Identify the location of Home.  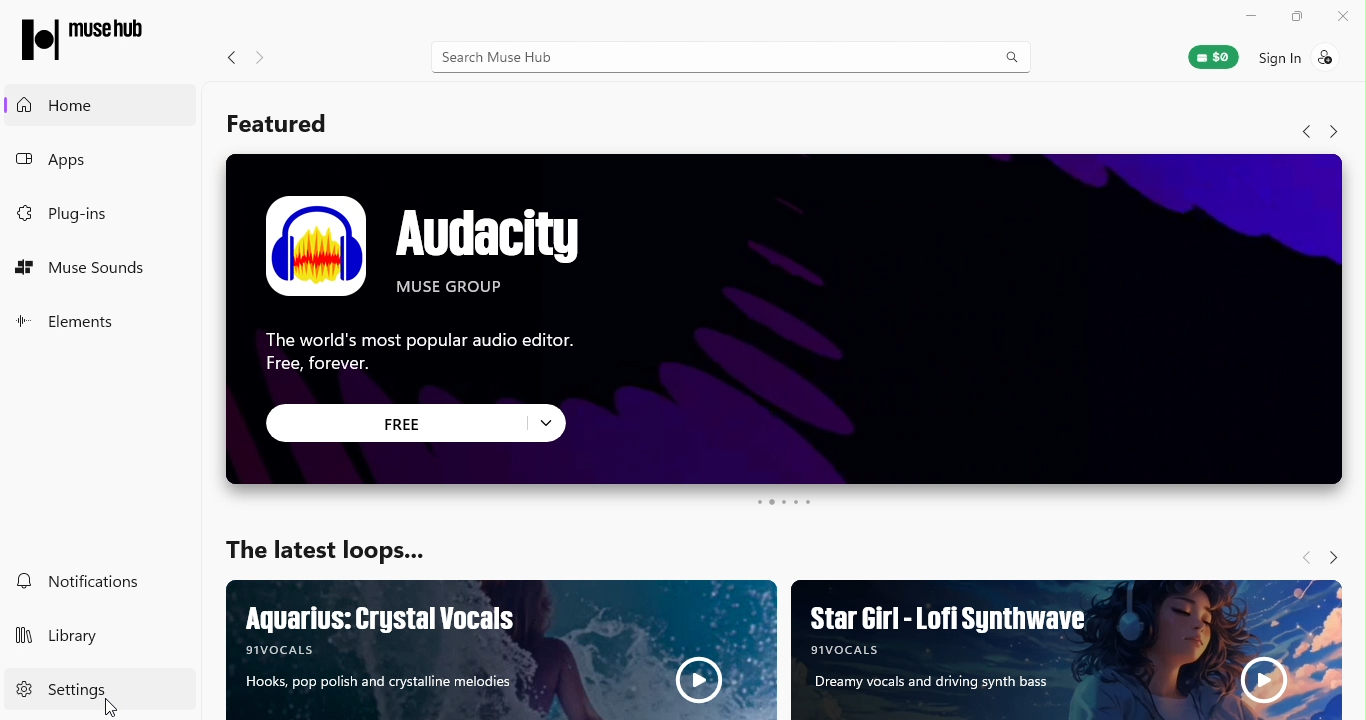
(100, 103).